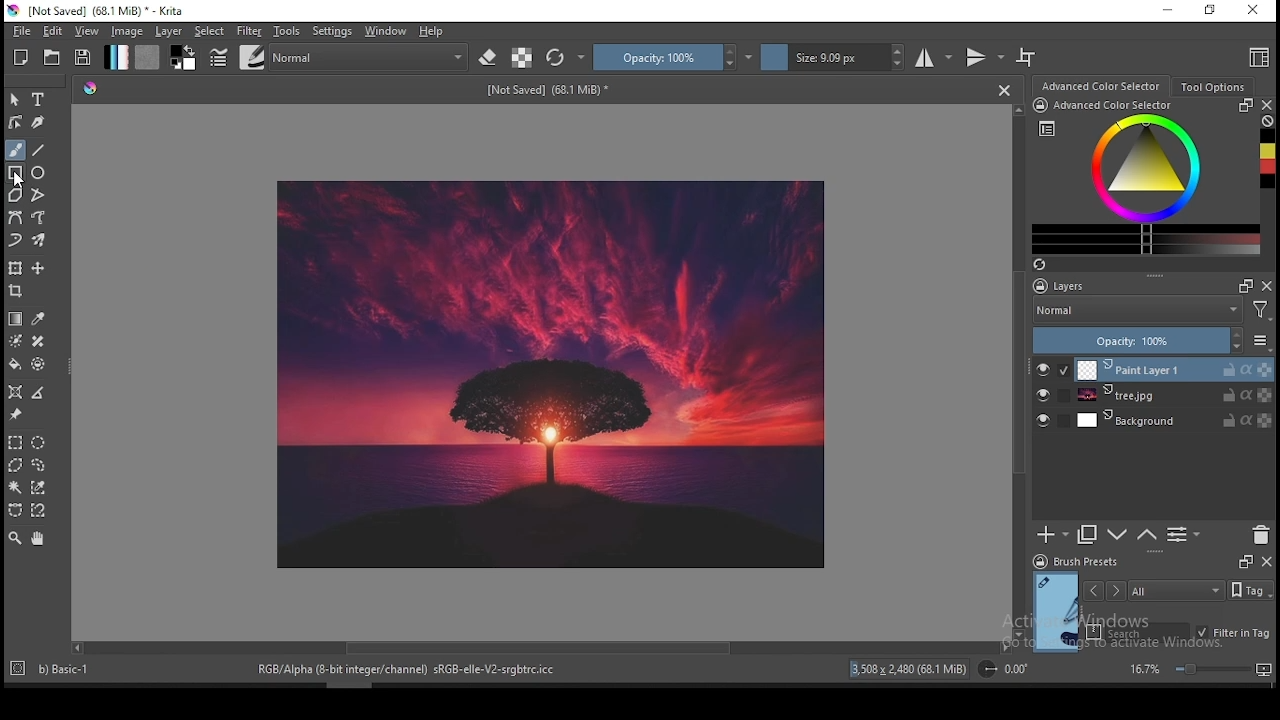 This screenshot has width=1280, height=720. I want to click on 'RGB/Alpha (8-bit integer/channel) sRGB-elle-V2-srgbtre.icc, so click(408, 670).